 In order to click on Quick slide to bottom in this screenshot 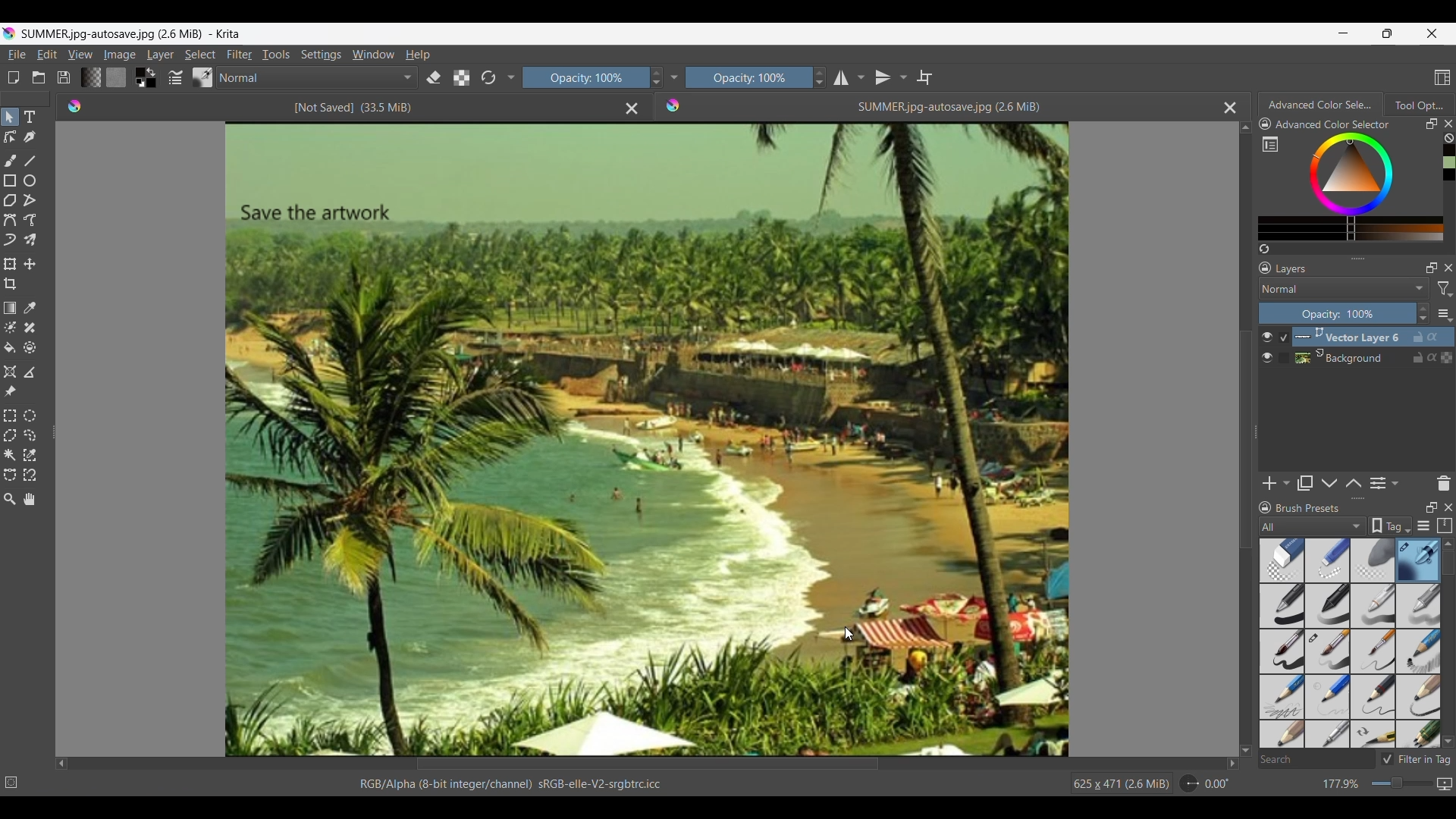, I will do `click(1448, 742)`.